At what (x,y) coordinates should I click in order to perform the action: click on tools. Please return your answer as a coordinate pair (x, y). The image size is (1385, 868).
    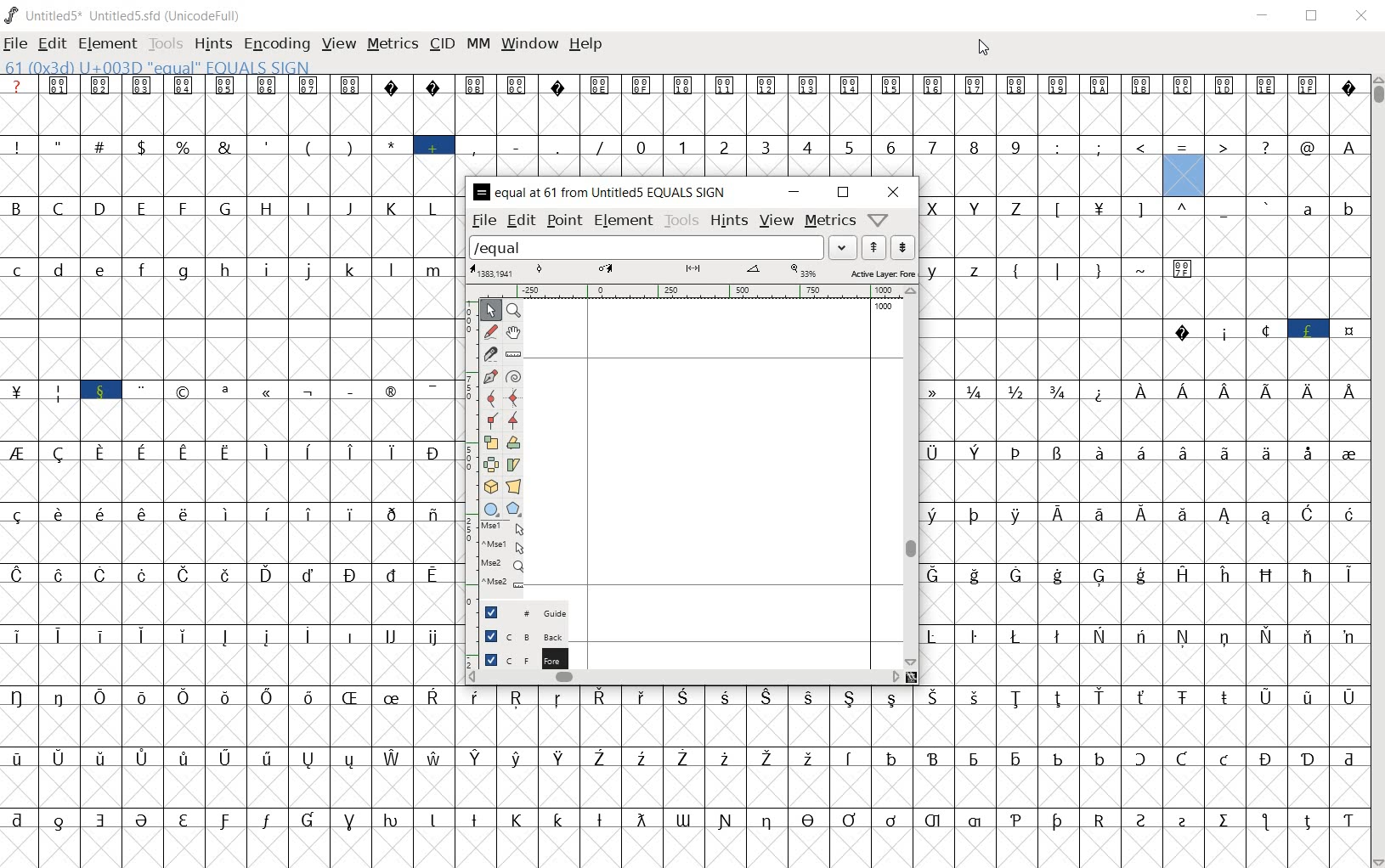
    Looking at the image, I should click on (681, 220).